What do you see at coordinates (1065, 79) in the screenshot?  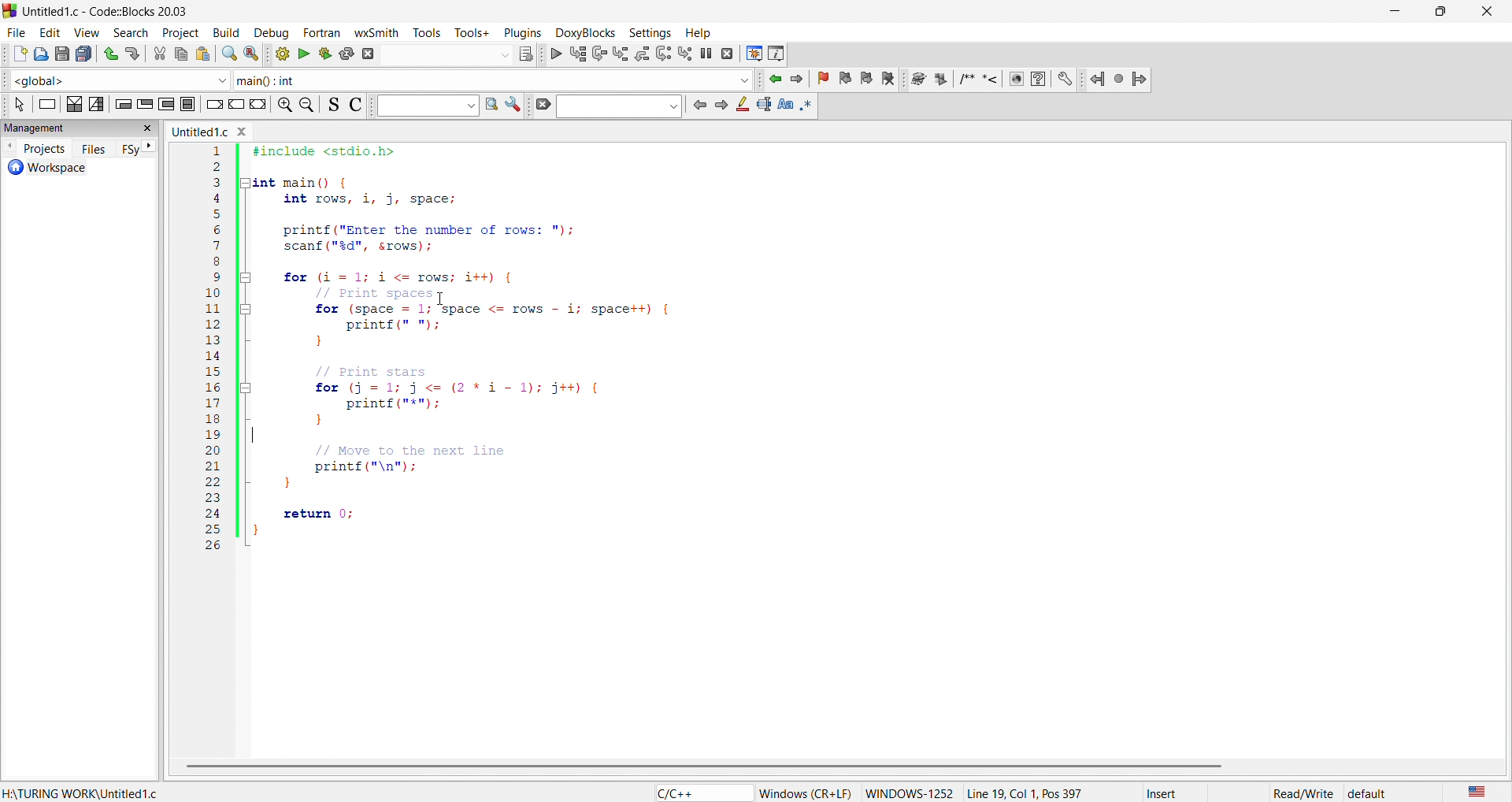 I see `settings` at bounding box center [1065, 79].